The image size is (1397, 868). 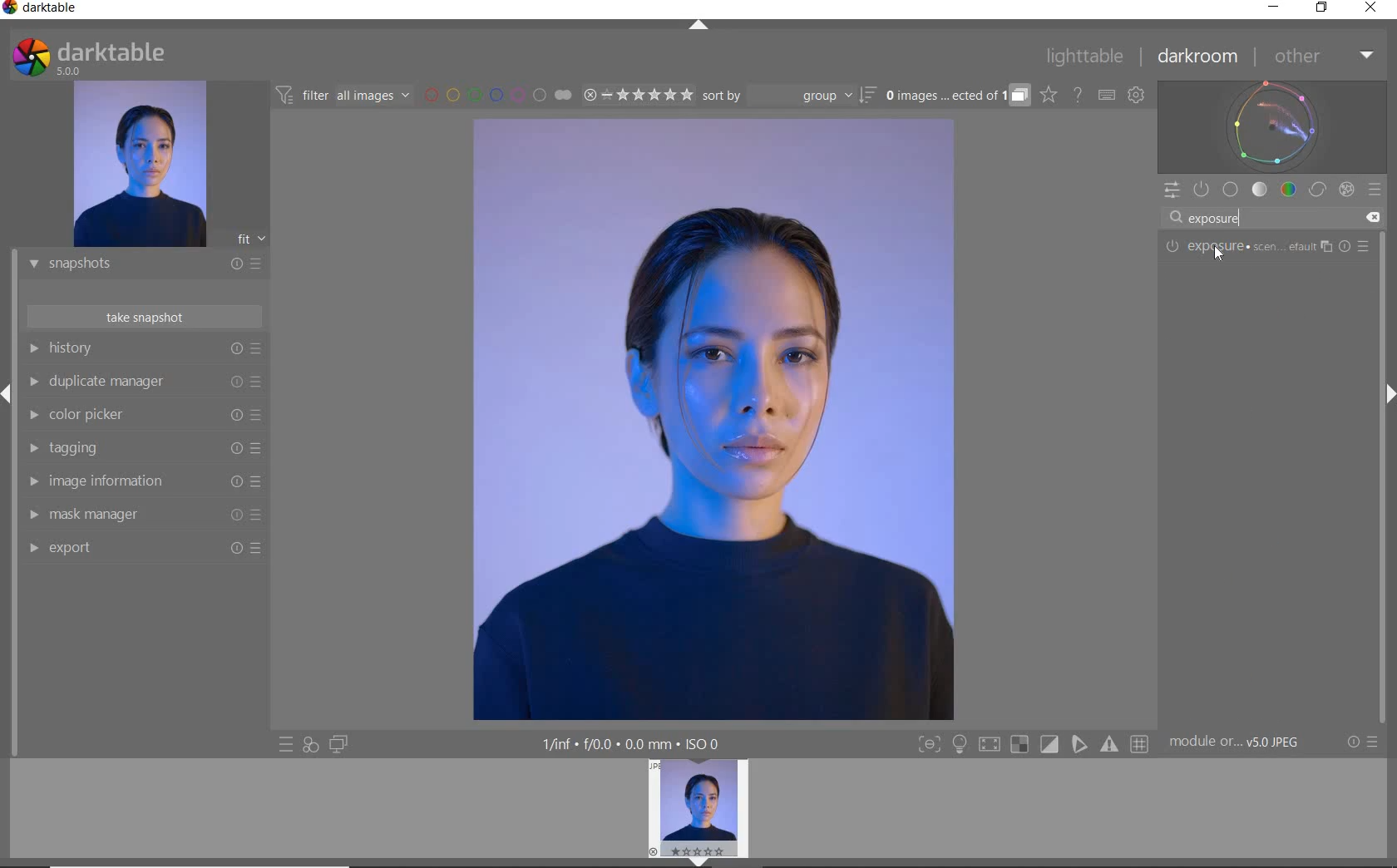 I want to click on IMAGE PREVIEW, so click(x=139, y=165).